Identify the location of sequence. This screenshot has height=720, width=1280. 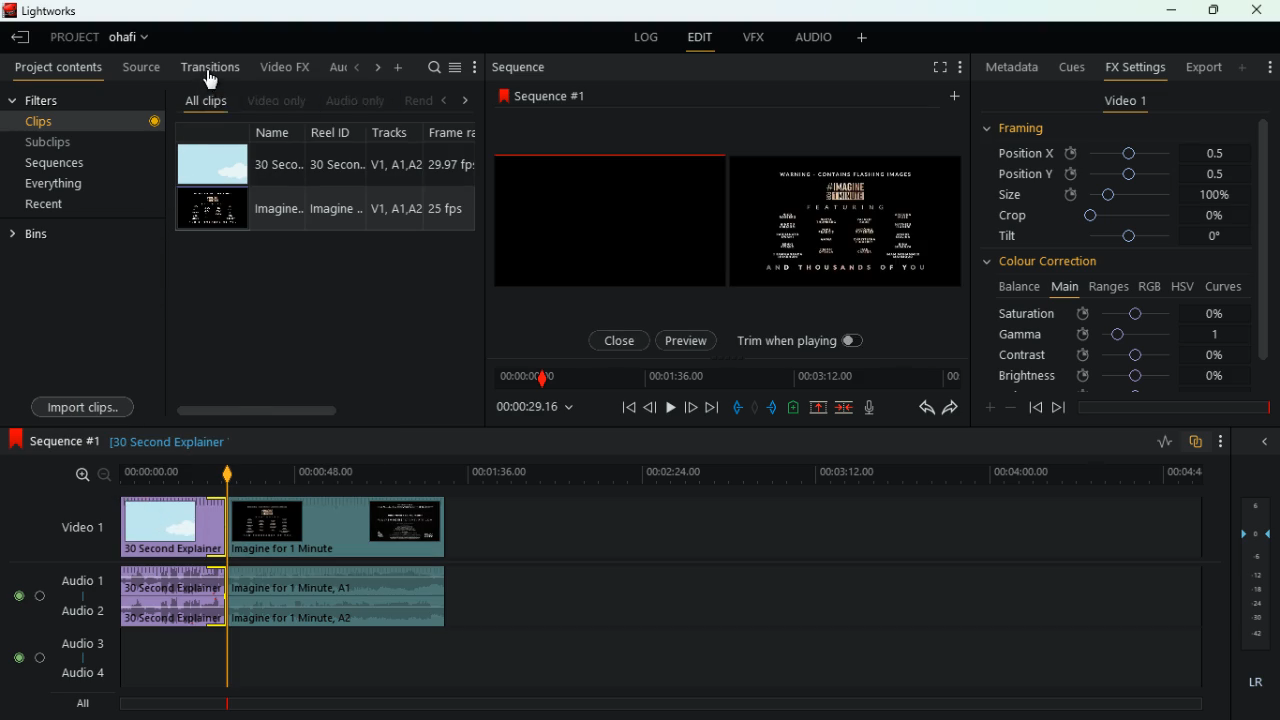
(521, 67).